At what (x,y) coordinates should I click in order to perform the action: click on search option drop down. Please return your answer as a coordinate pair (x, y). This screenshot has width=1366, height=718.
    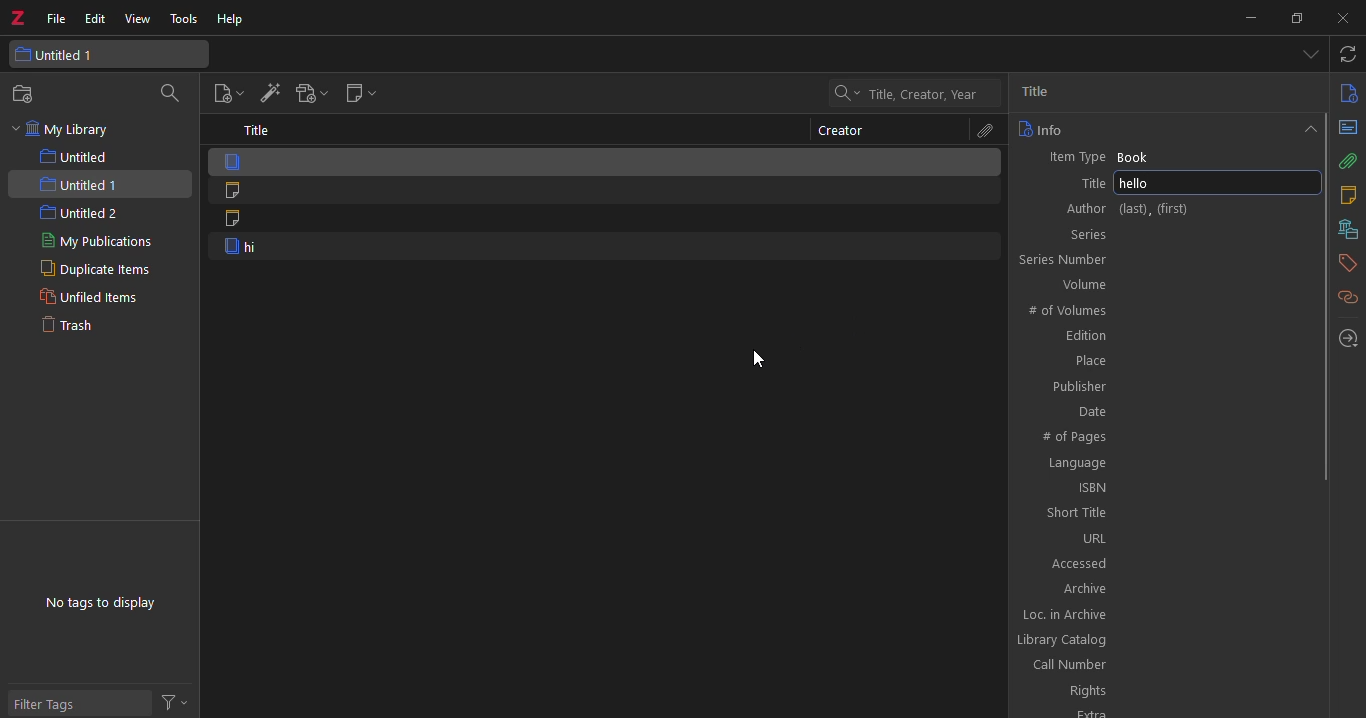
    Looking at the image, I should click on (844, 93).